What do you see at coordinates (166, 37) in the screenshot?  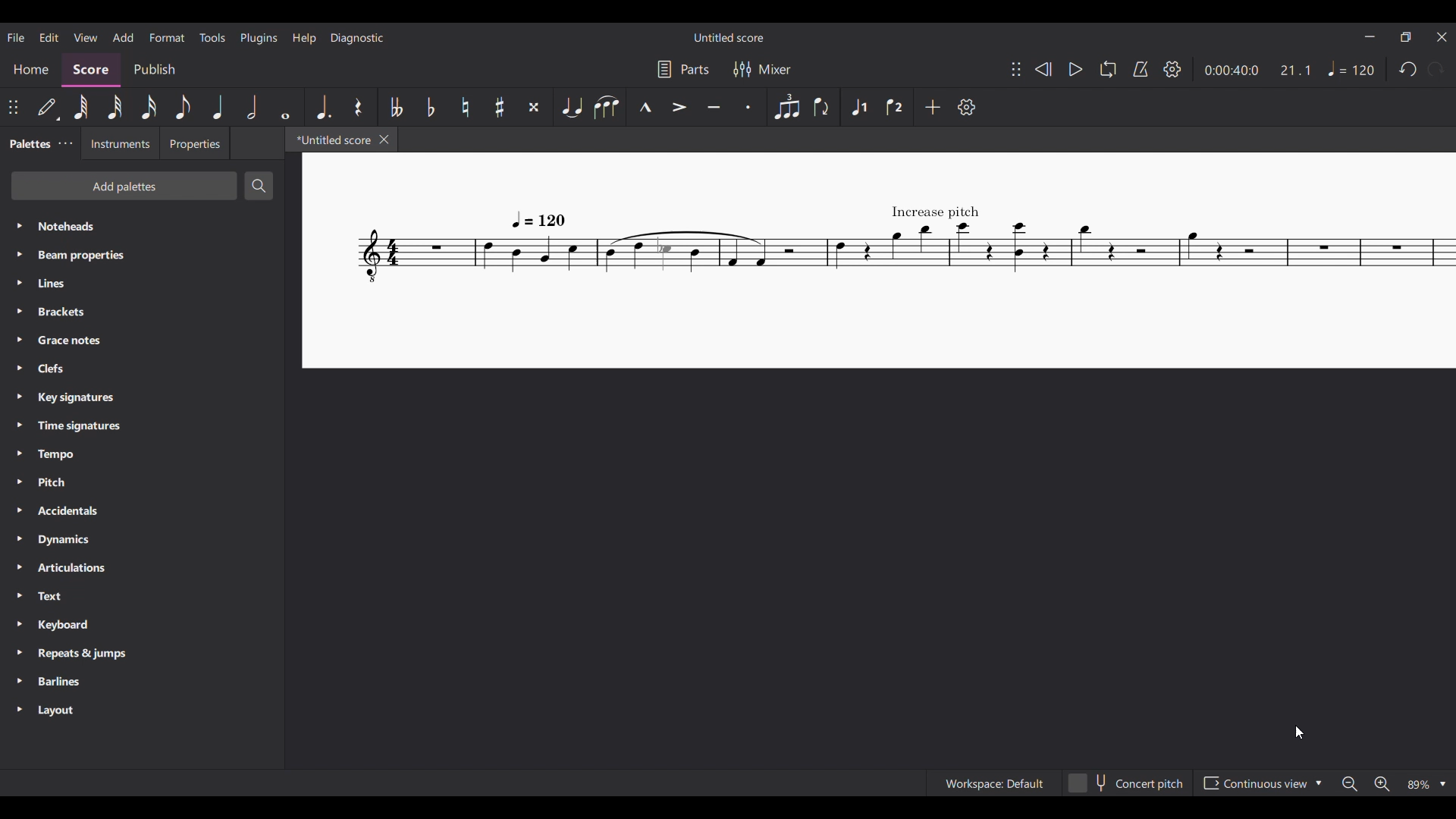 I see `Format menu` at bounding box center [166, 37].